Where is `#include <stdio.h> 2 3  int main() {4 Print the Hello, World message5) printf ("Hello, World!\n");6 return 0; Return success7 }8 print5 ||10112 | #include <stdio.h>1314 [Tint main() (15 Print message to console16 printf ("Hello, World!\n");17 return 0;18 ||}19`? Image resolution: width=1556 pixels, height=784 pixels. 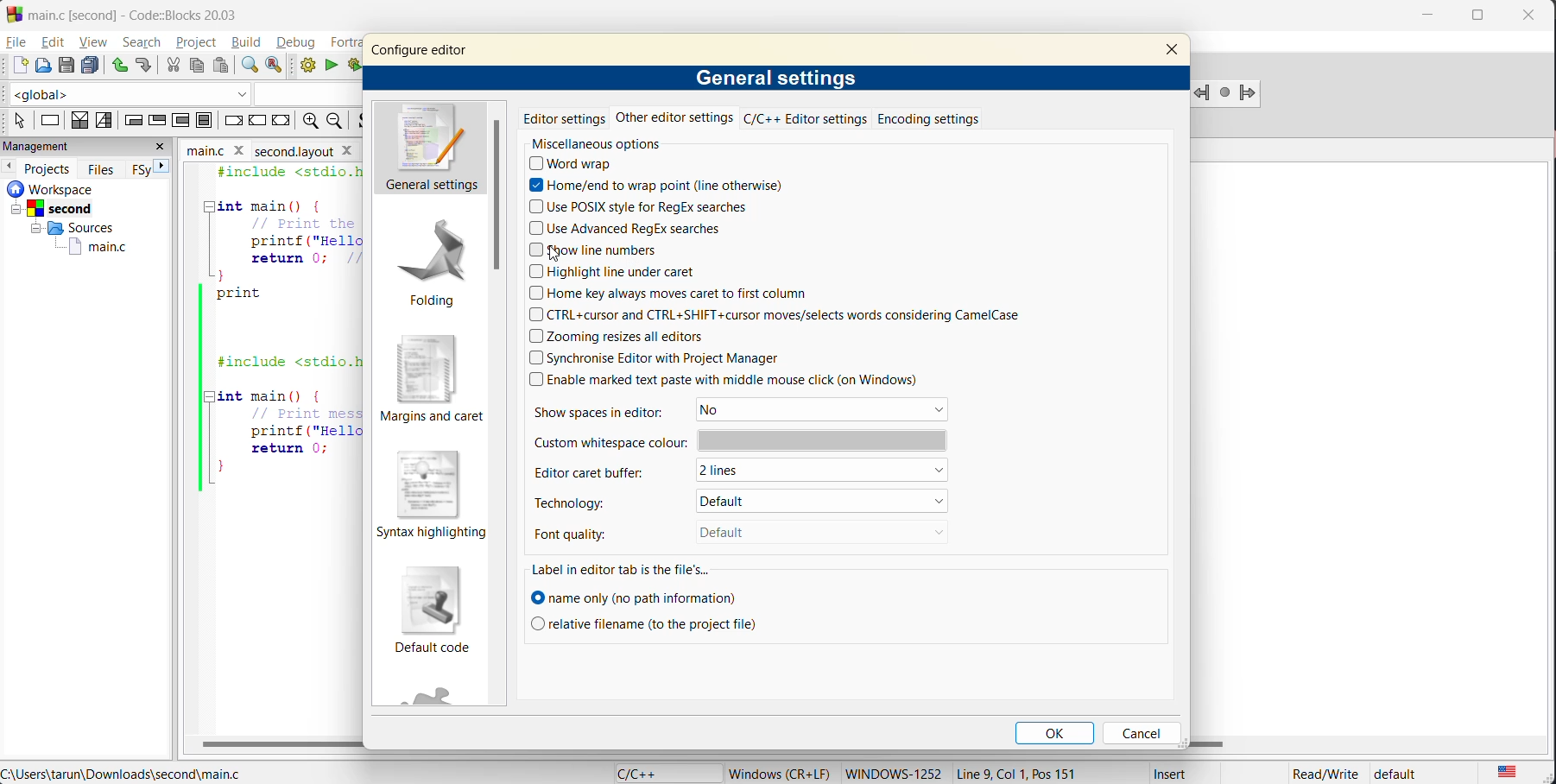
#include <stdio.h> 2 3  int main() {4 Print the Hello, World message5) printf ("Hello, World!\n");6 return 0; Return success7 }8 print5 ||10112 | #include <stdio.h>1314 [Tint main() (15 Print message to console16 printf ("Hello, World!\n");17 return 0;18 ||}19 is located at coordinates (284, 332).